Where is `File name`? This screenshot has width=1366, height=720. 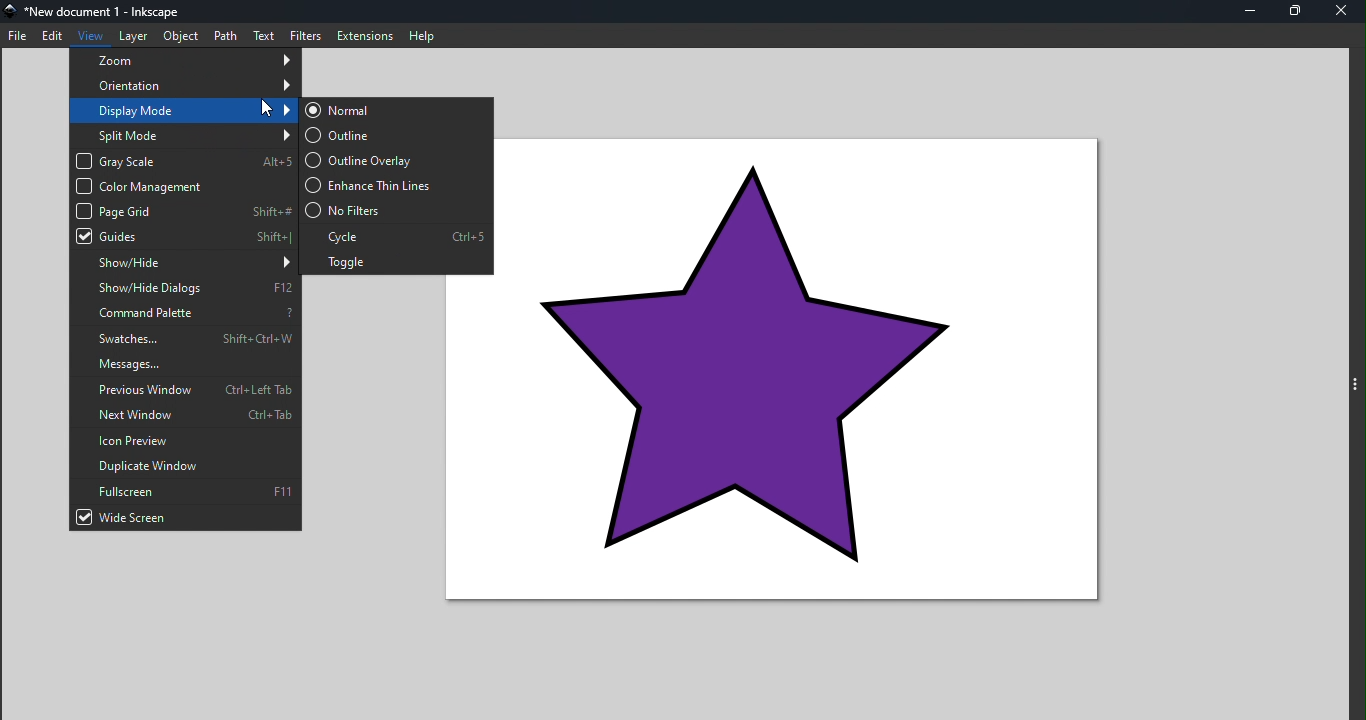 File name is located at coordinates (97, 14).